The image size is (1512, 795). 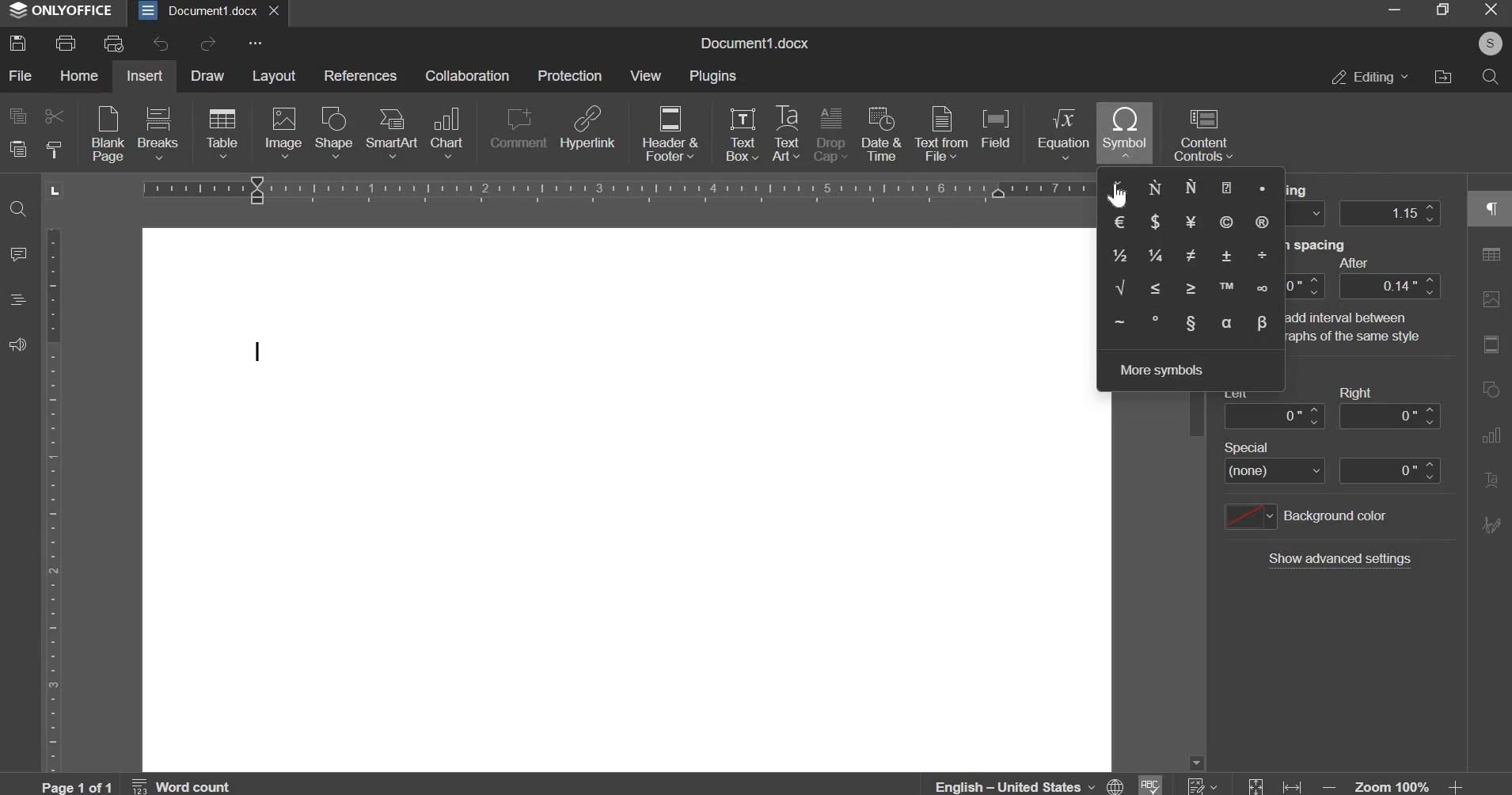 What do you see at coordinates (1392, 10) in the screenshot?
I see `minimize` at bounding box center [1392, 10].